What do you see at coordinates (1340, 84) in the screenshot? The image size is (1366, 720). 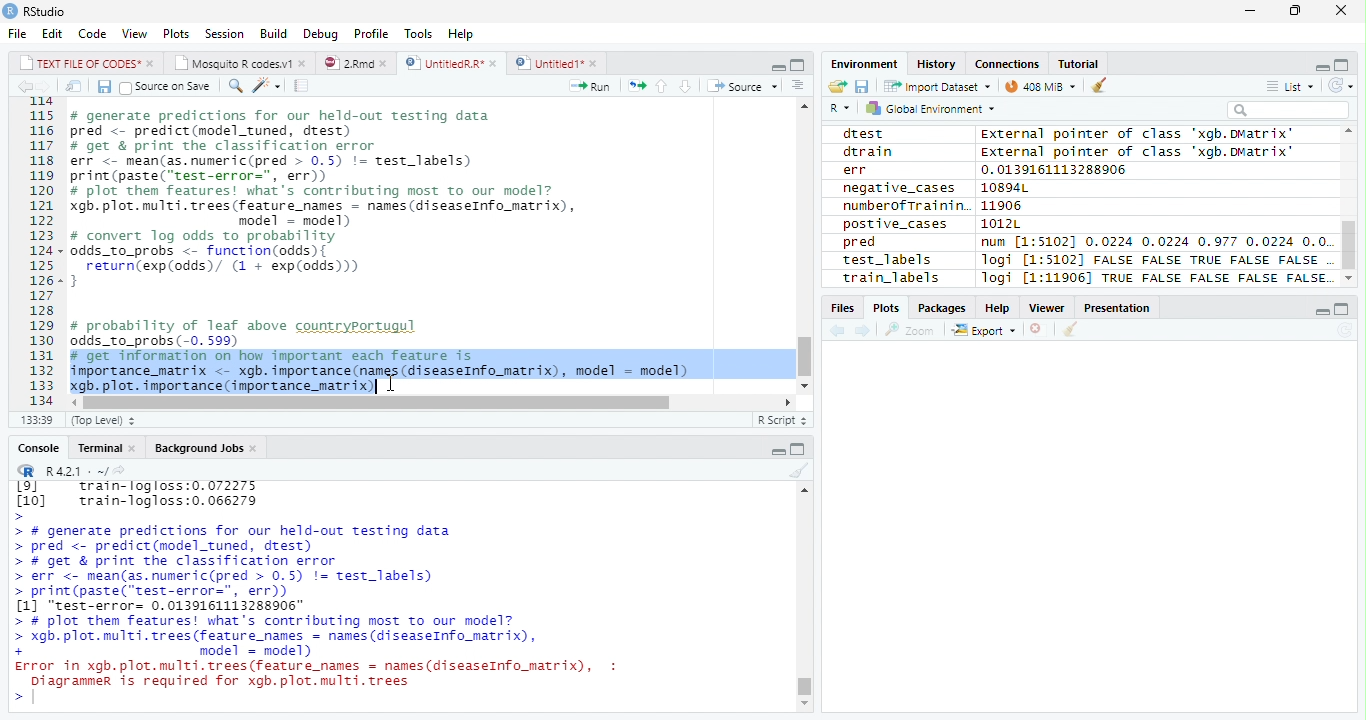 I see `Refresh` at bounding box center [1340, 84].